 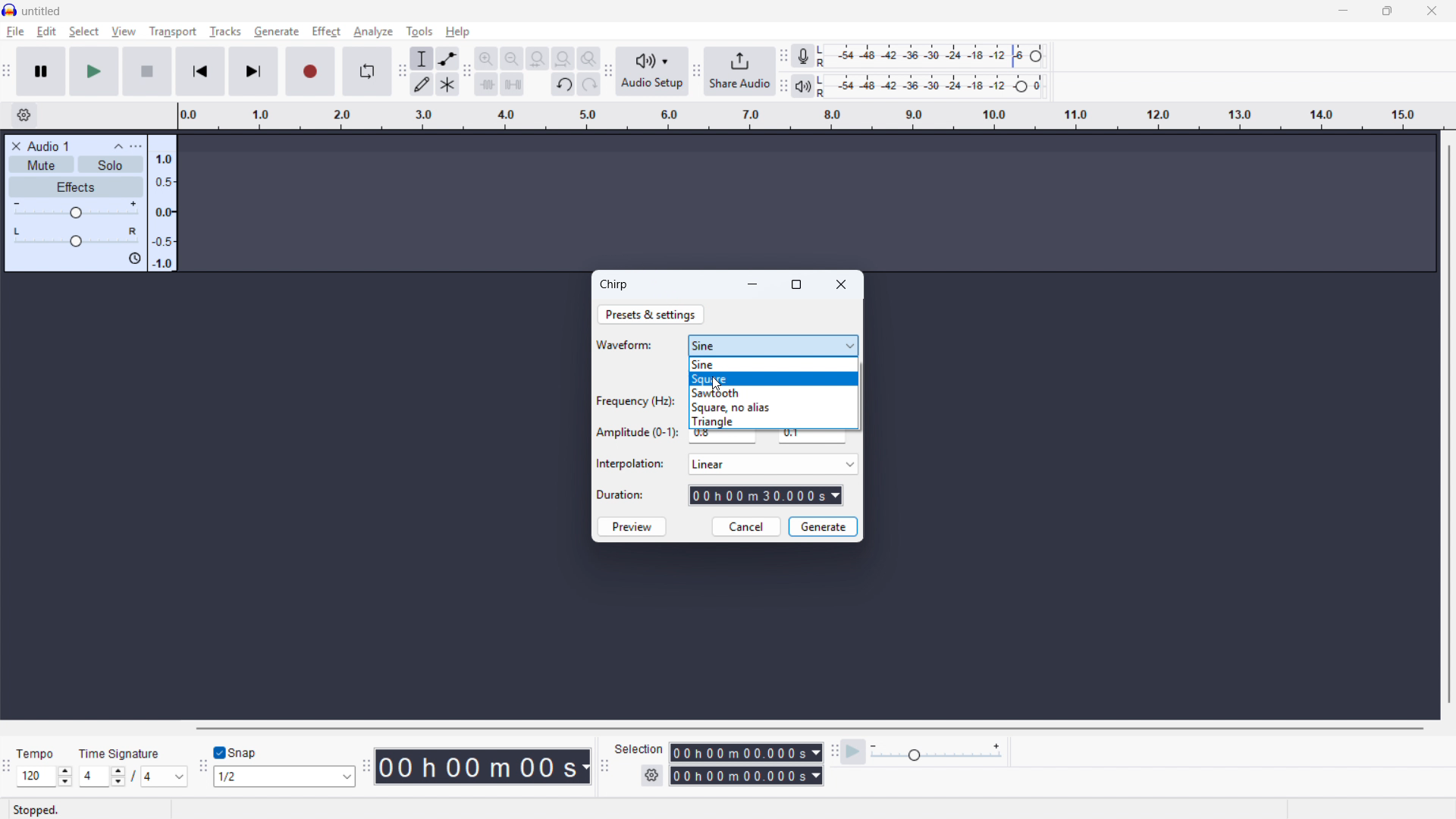 I want to click on Chirp dialogue box , so click(x=613, y=284).